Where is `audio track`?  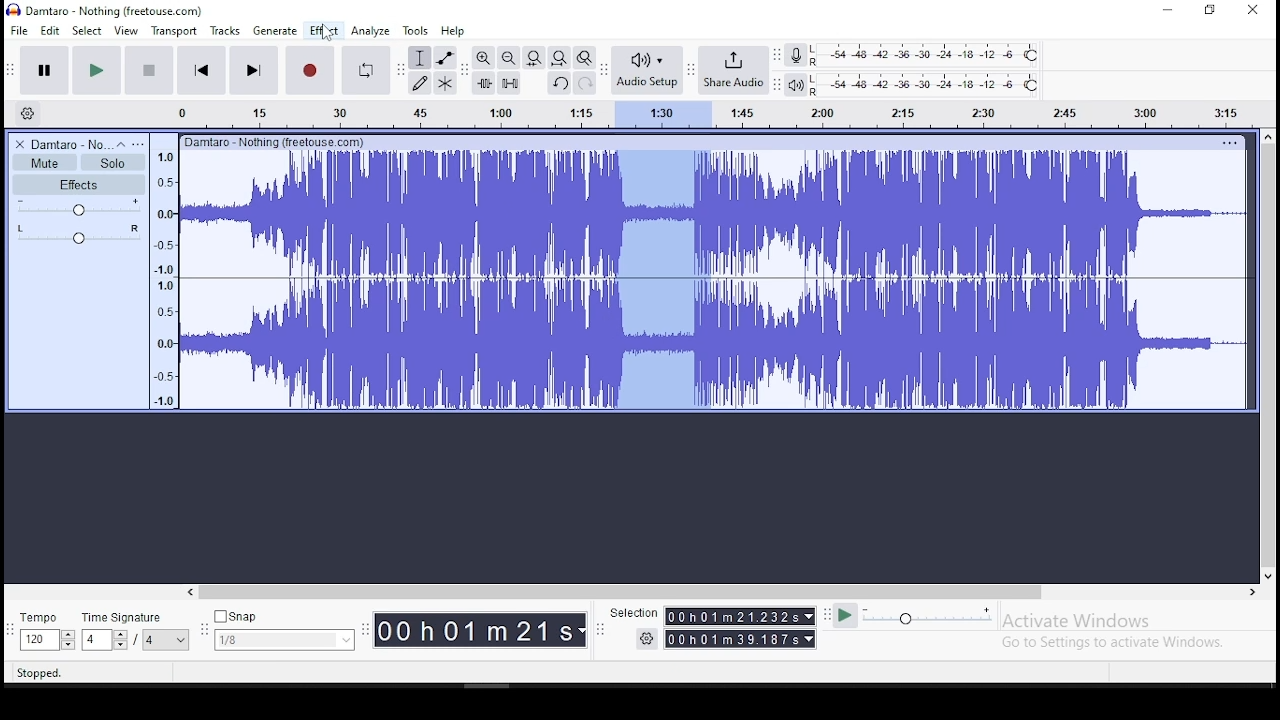 audio track is located at coordinates (714, 213).